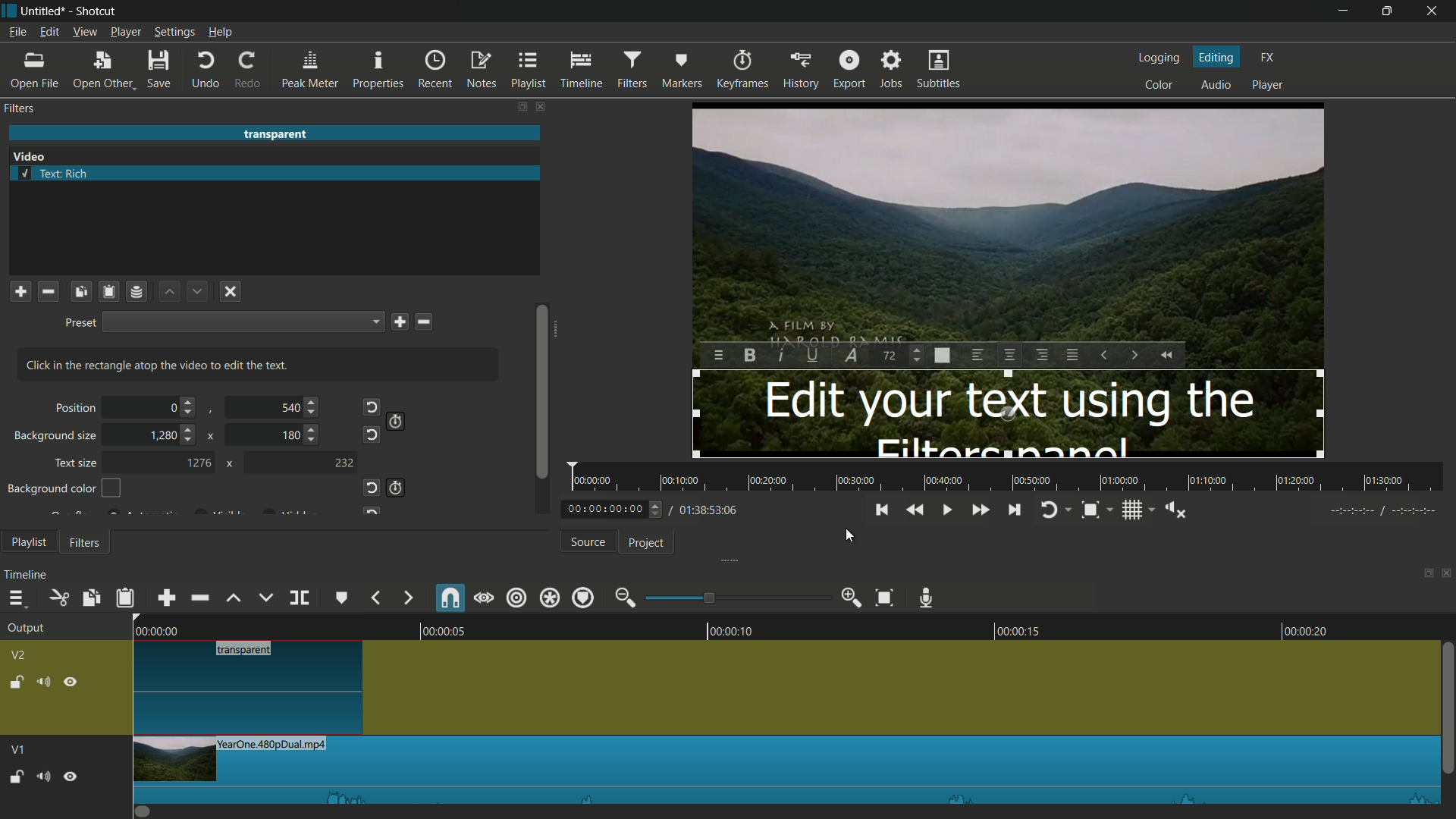 The width and height of the screenshot is (1456, 819). I want to click on close app, so click(1434, 11).